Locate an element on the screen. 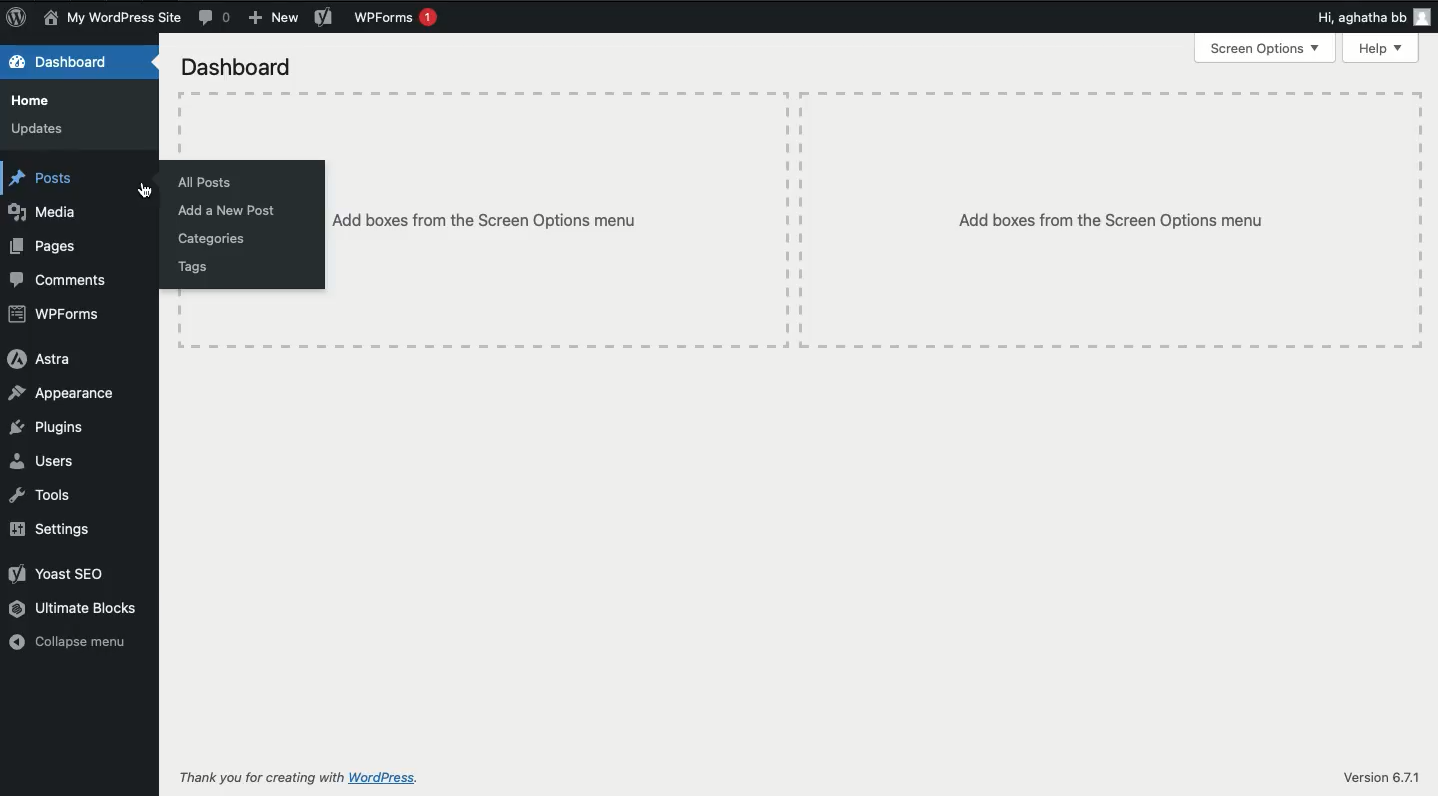  Posts is located at coordinates (48, 179).